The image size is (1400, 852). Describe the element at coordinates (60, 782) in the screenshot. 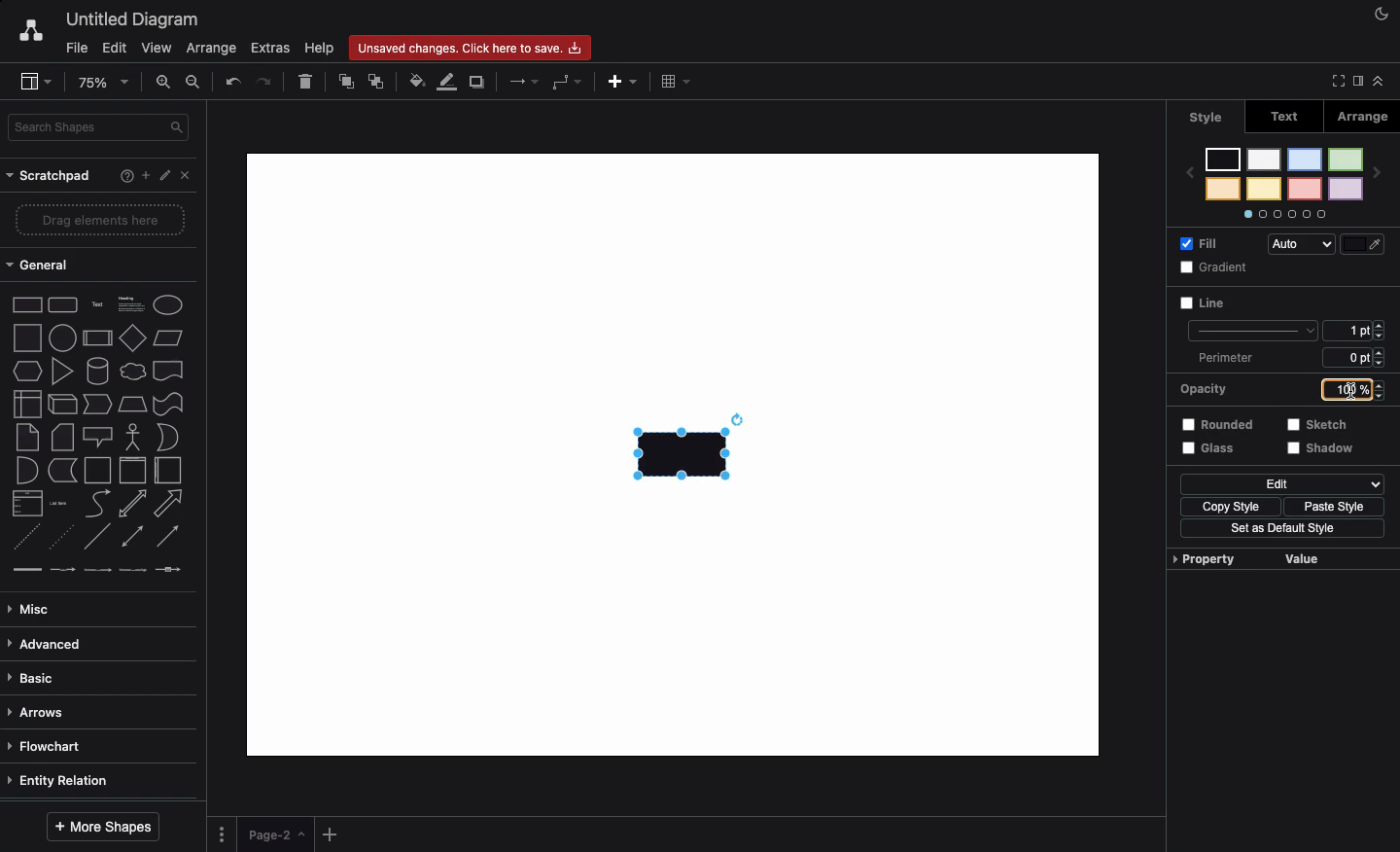

I see `Entity relation` at that location.